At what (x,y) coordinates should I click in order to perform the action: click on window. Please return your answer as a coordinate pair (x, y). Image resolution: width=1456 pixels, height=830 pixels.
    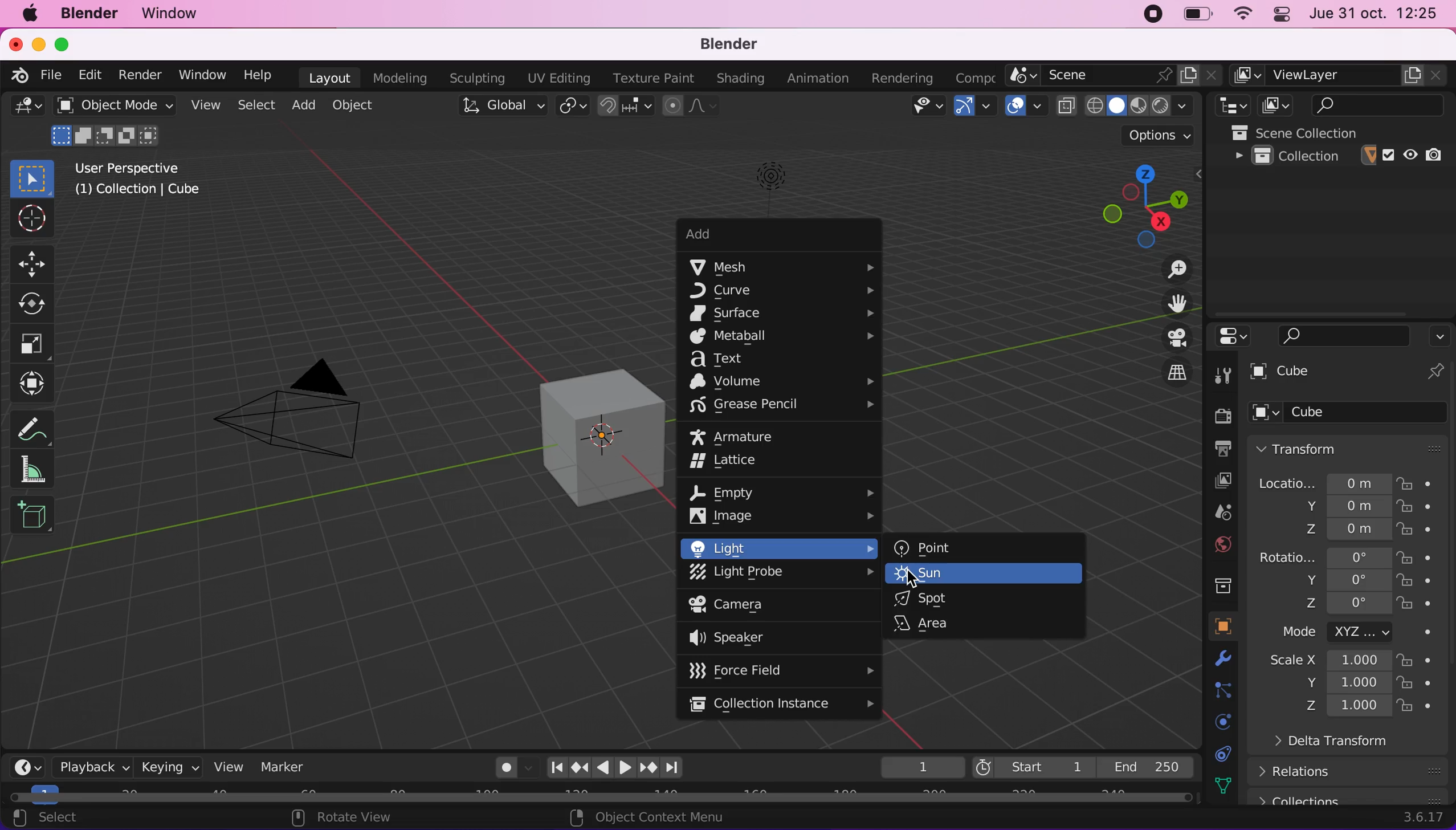
    Looking at the image, I should click on (198, 74).